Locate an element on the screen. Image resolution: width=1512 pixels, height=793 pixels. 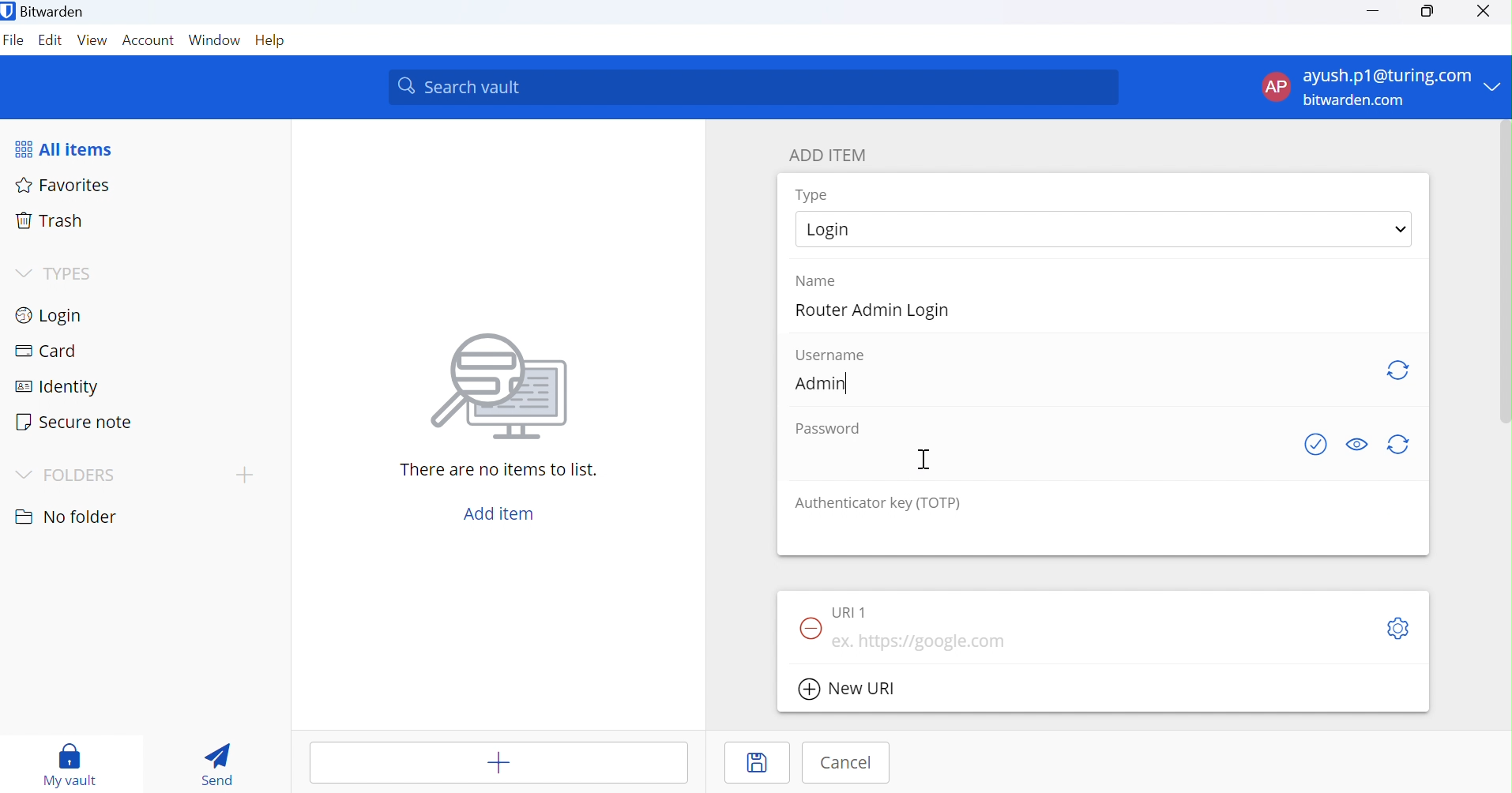
Help is located at coordinates (273, 41).